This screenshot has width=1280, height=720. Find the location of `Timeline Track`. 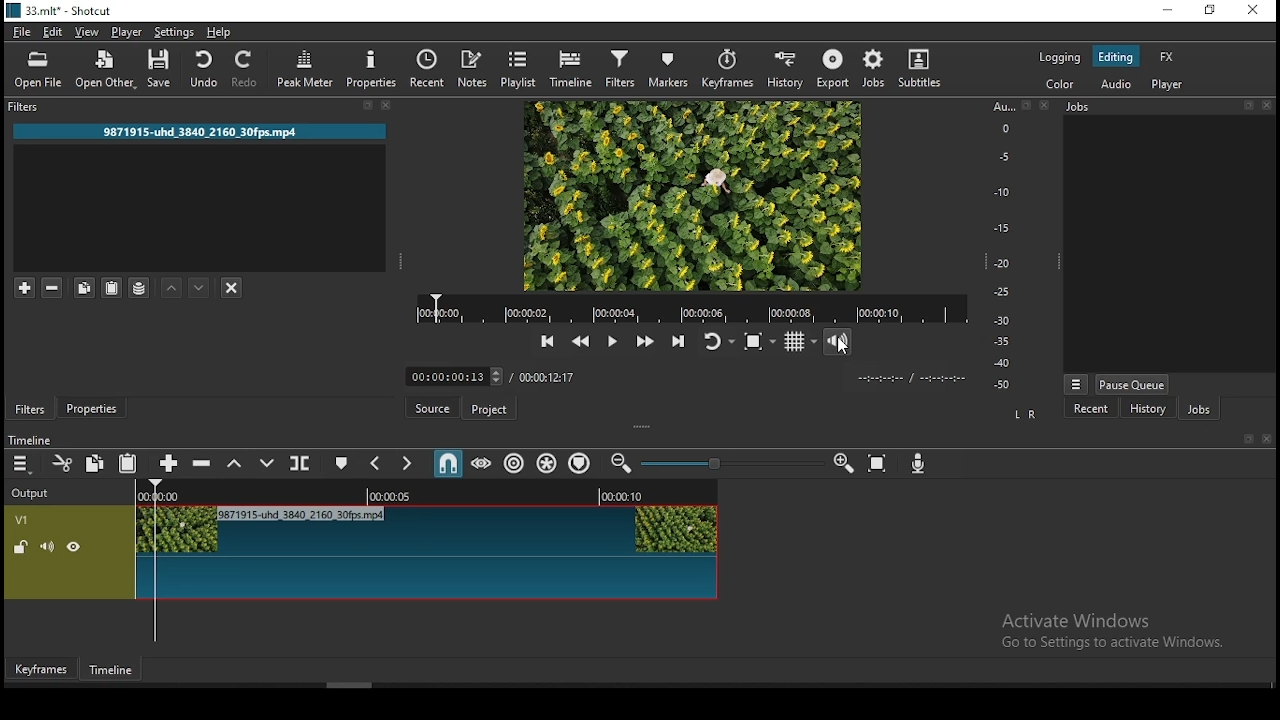

Timeline Track is located at coordinates (425, 495).